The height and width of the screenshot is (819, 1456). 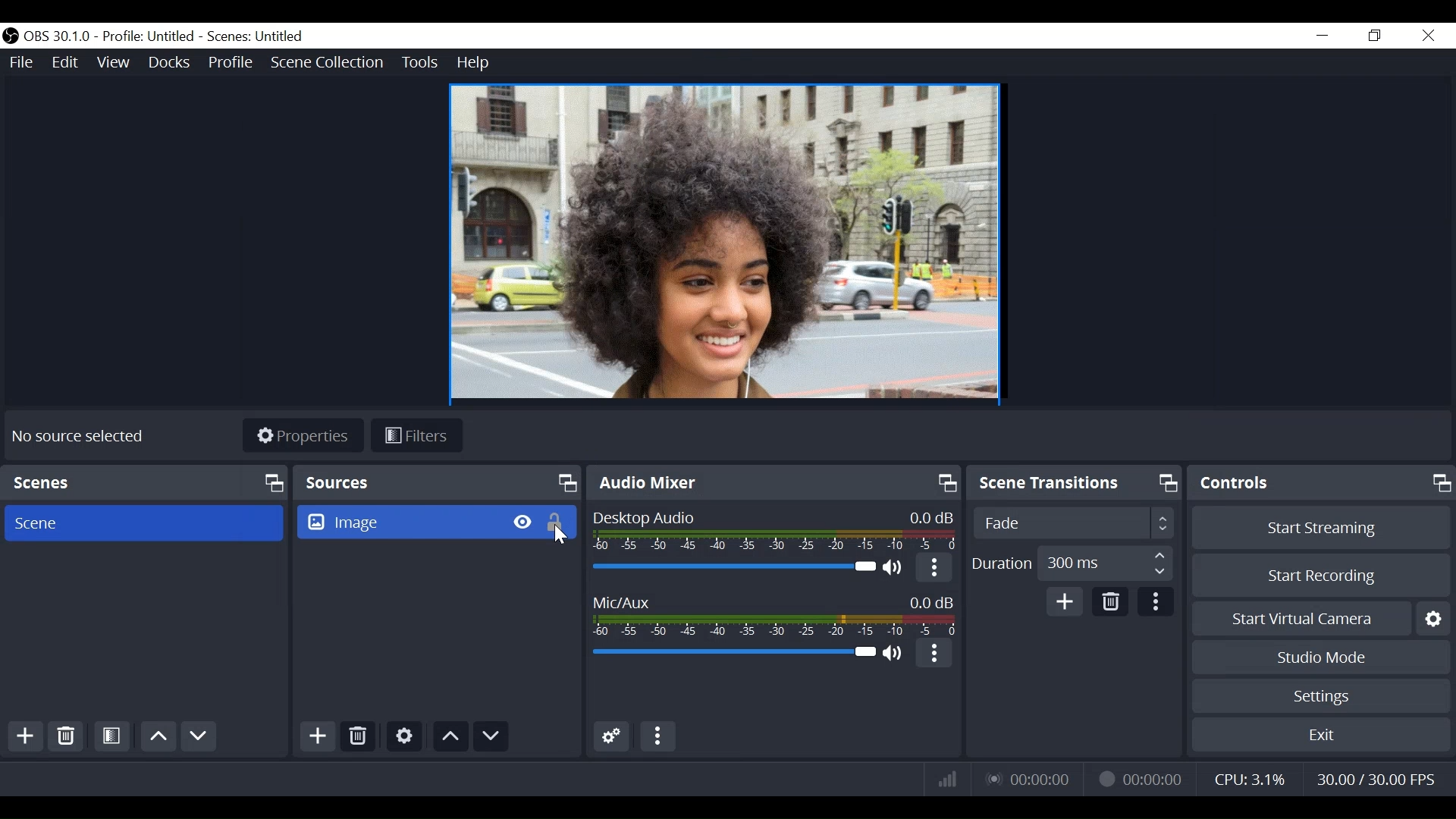 What do you see at coordinates (1064, 602) in the screenshot?
I see `Add ` at bounding box center [1064, 602].